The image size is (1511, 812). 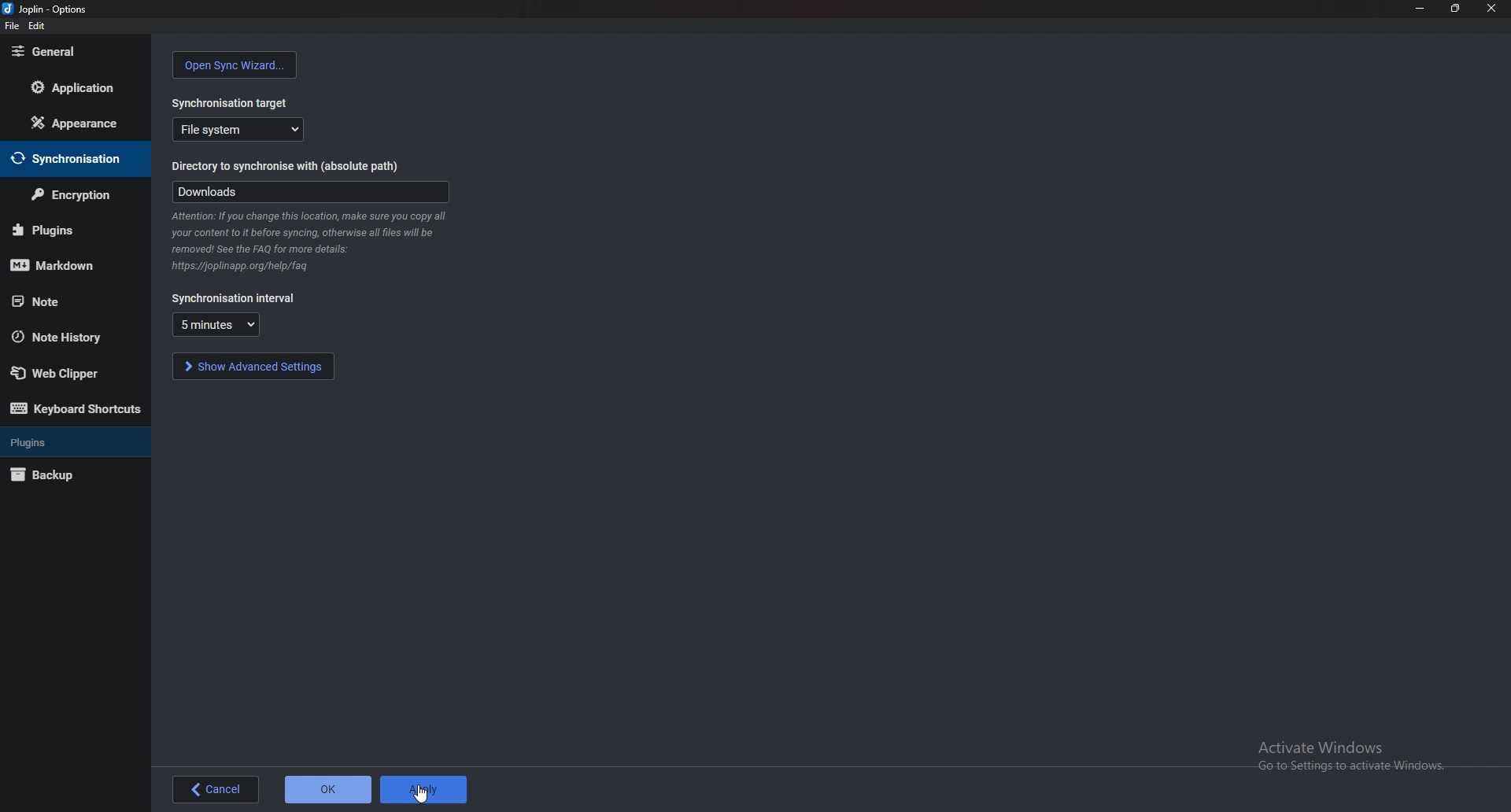 What do you see at coordinates (239, 129) in the screenshot?
I see `File system` at bounding box center [239, 129].